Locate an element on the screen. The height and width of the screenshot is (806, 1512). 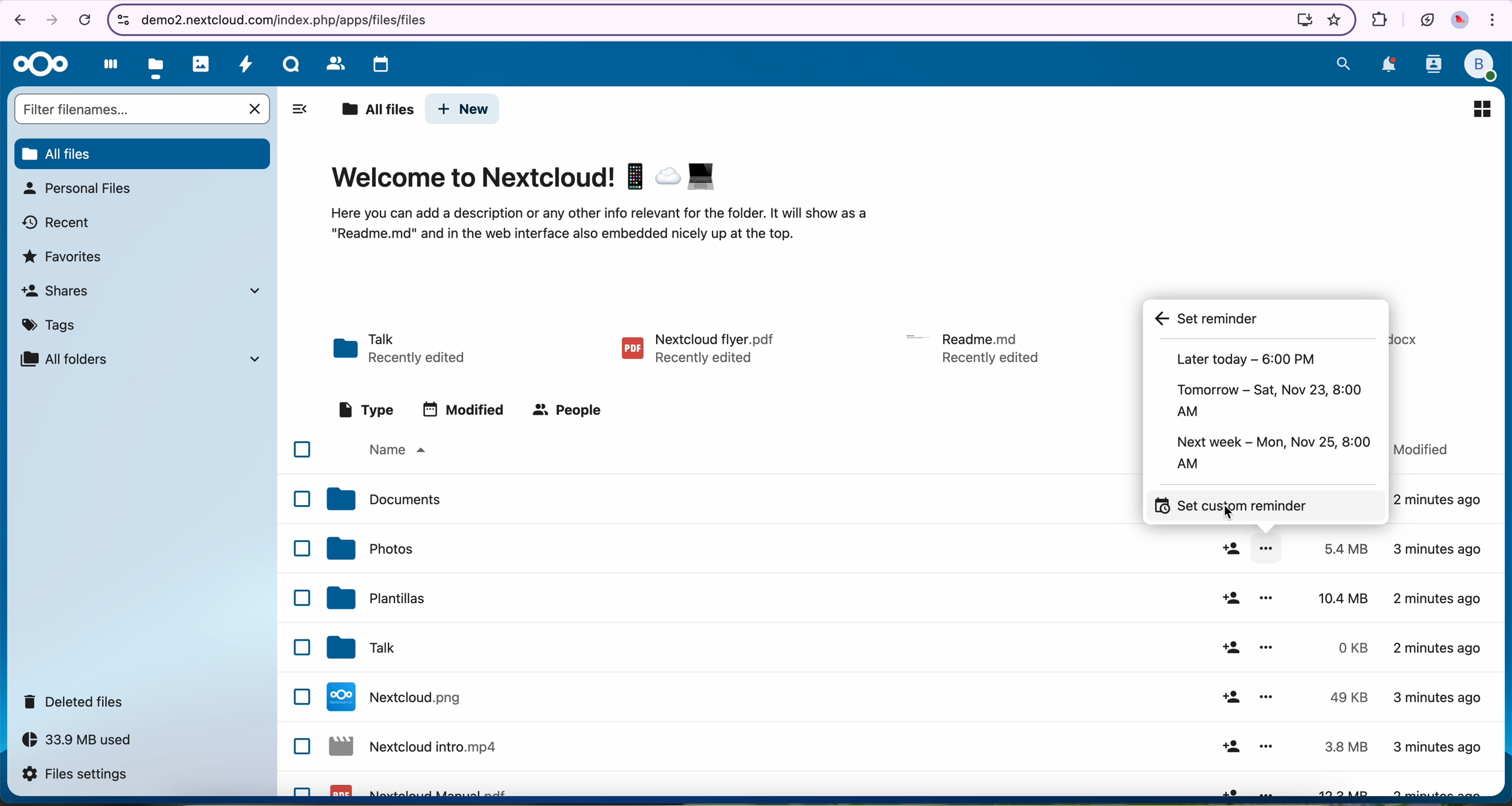
3 minutes ago is located at coordinates (1435, 790).